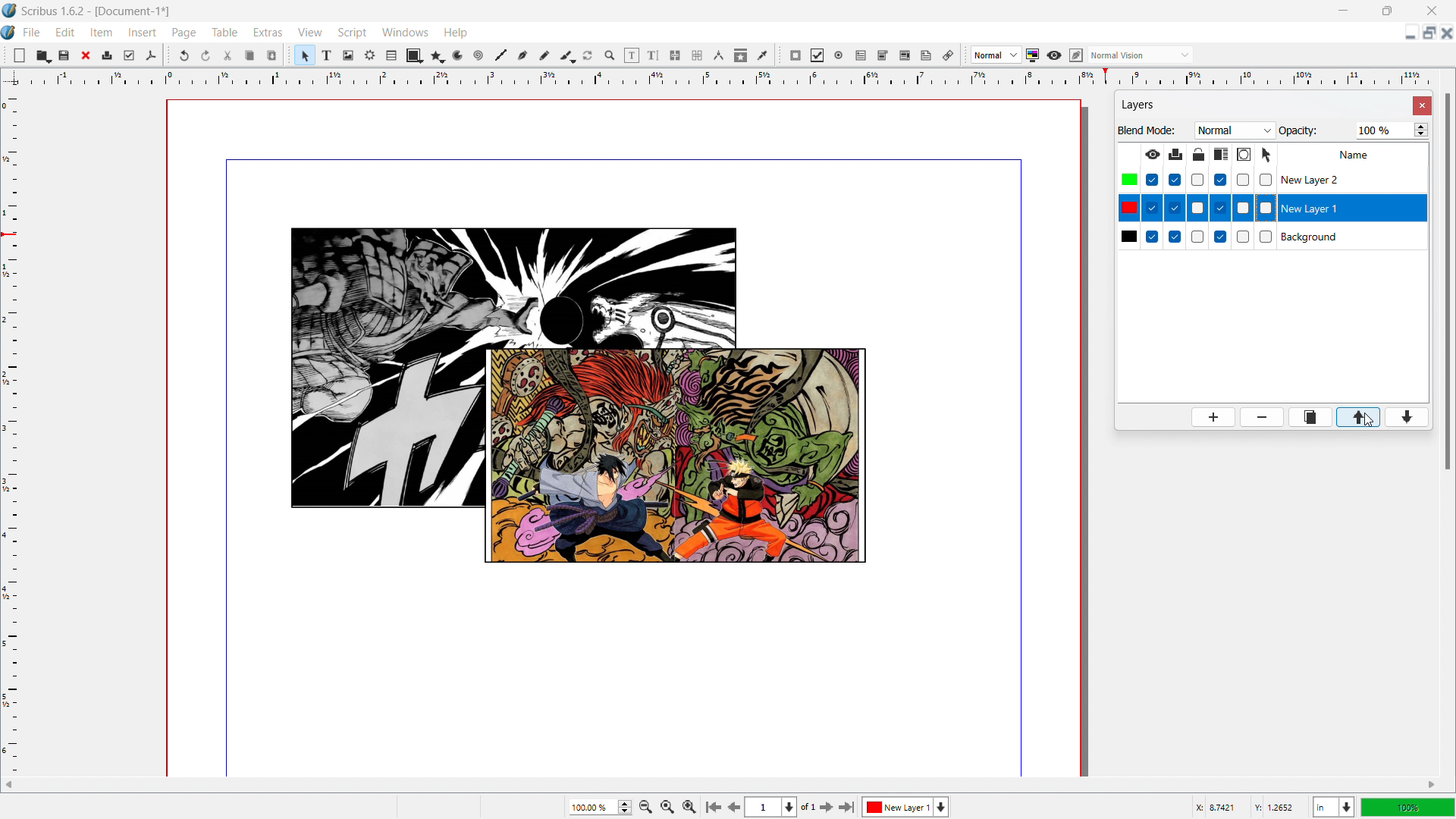 This screenshot has width=1456, height=819. I want to click on vertical ruler, so click(11, 431).